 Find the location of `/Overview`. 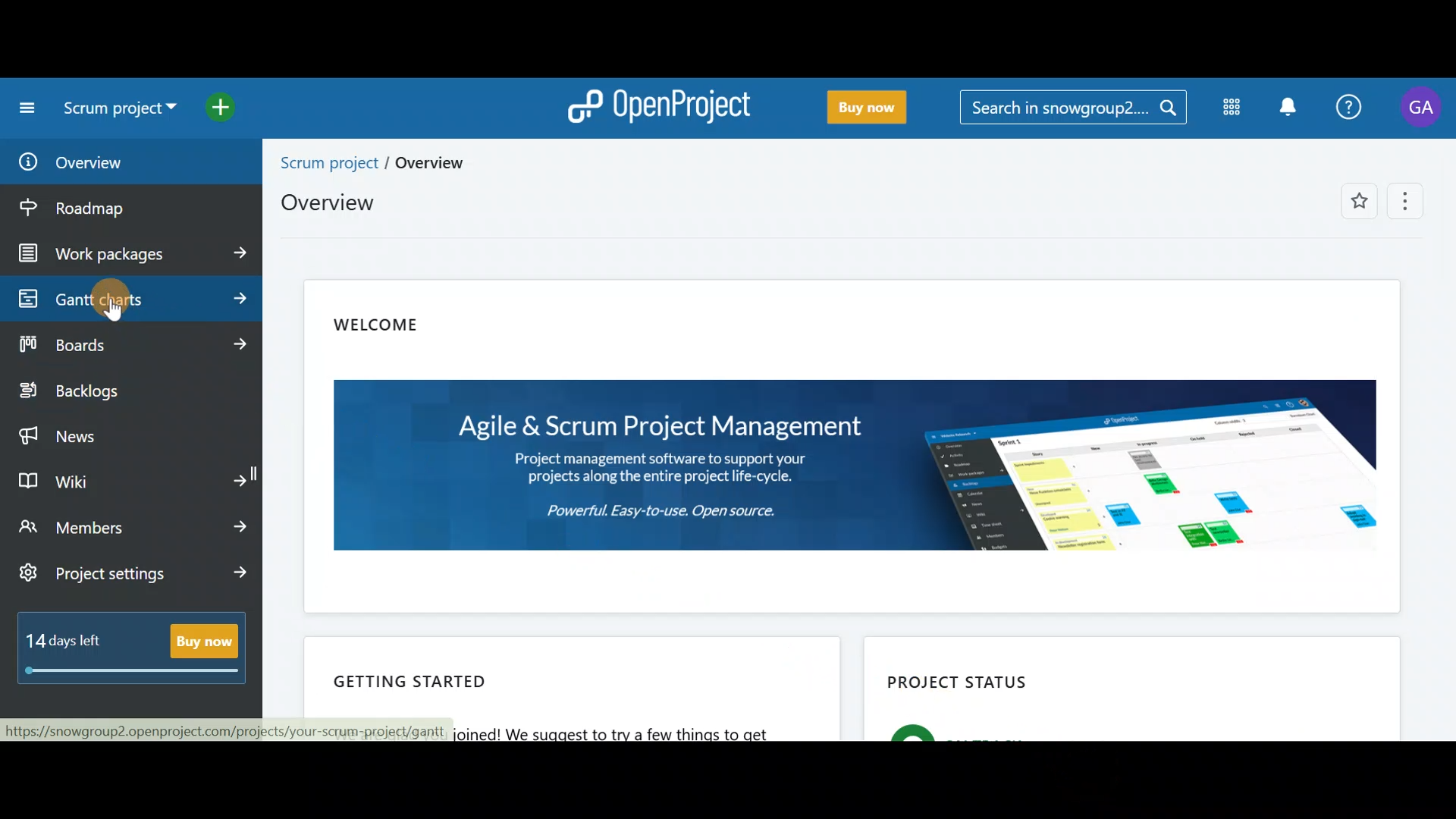

/Overview is located at coordinates (423, 162).